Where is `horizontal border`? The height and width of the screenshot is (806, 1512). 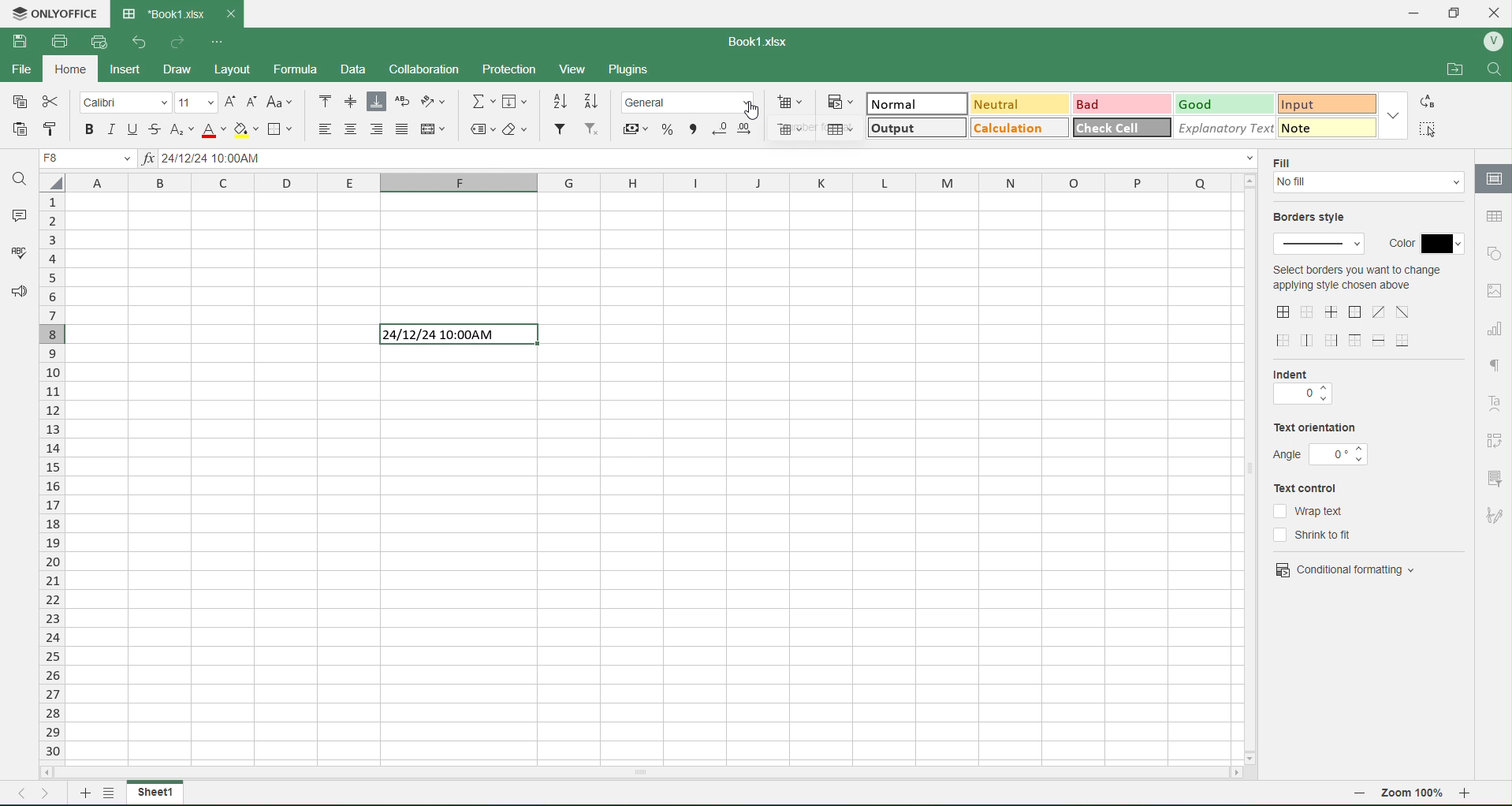 horizontal border is located at coordinates (1381, 341).